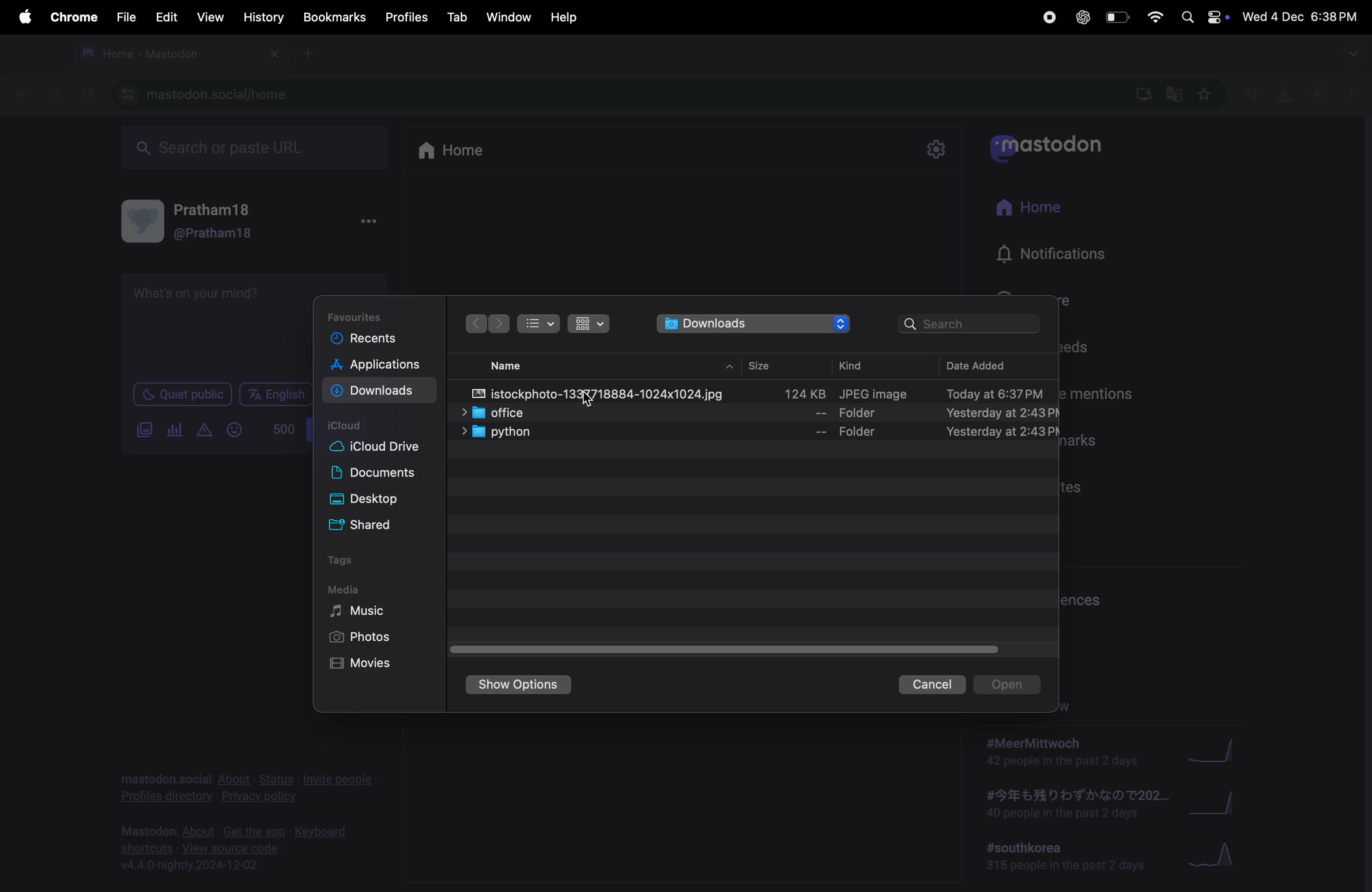  Describe the element at coordinates (259, 18) in the screenshot. I see `History` at that location.